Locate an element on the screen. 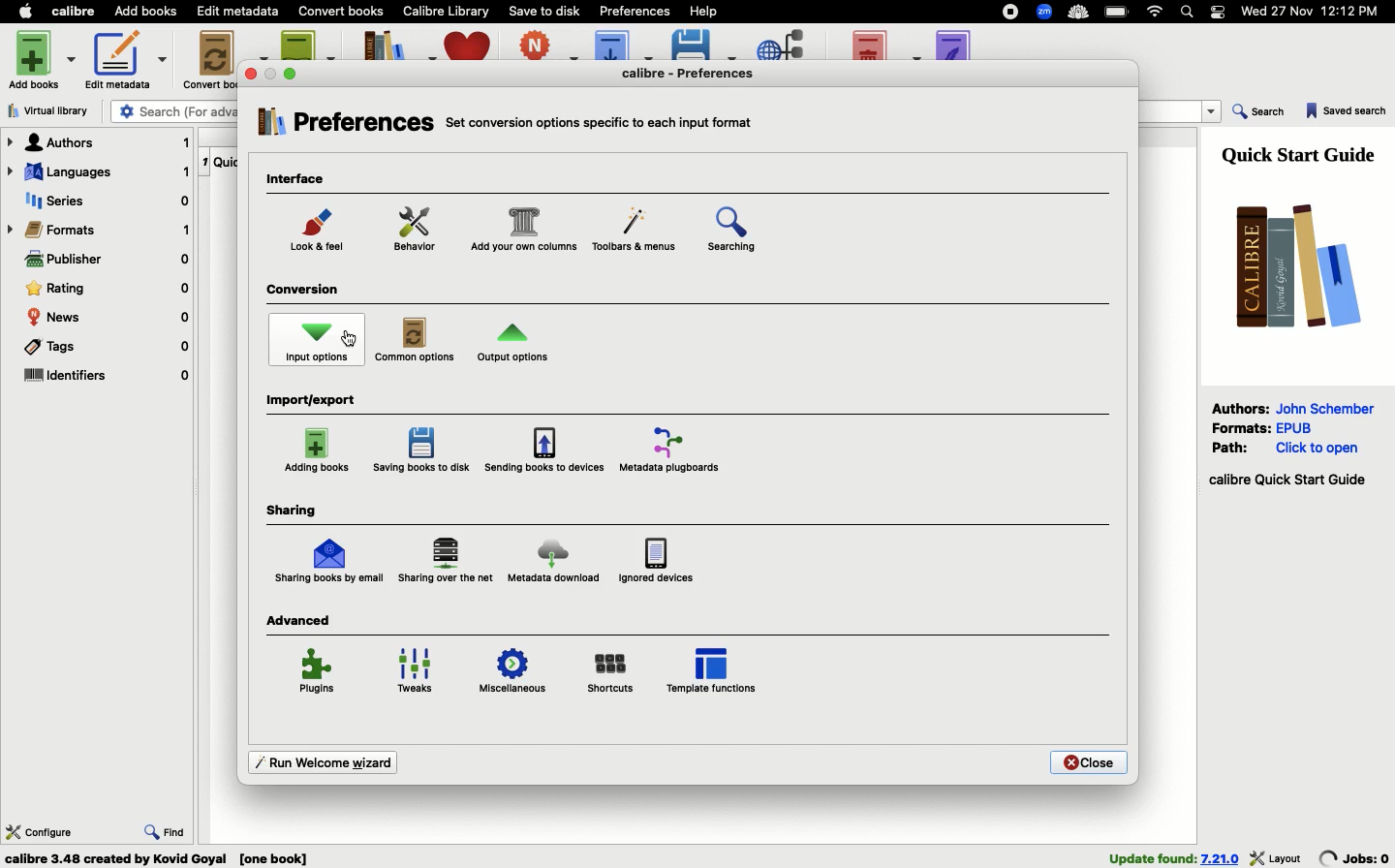  Internet is located at coordinates (1156, 12).